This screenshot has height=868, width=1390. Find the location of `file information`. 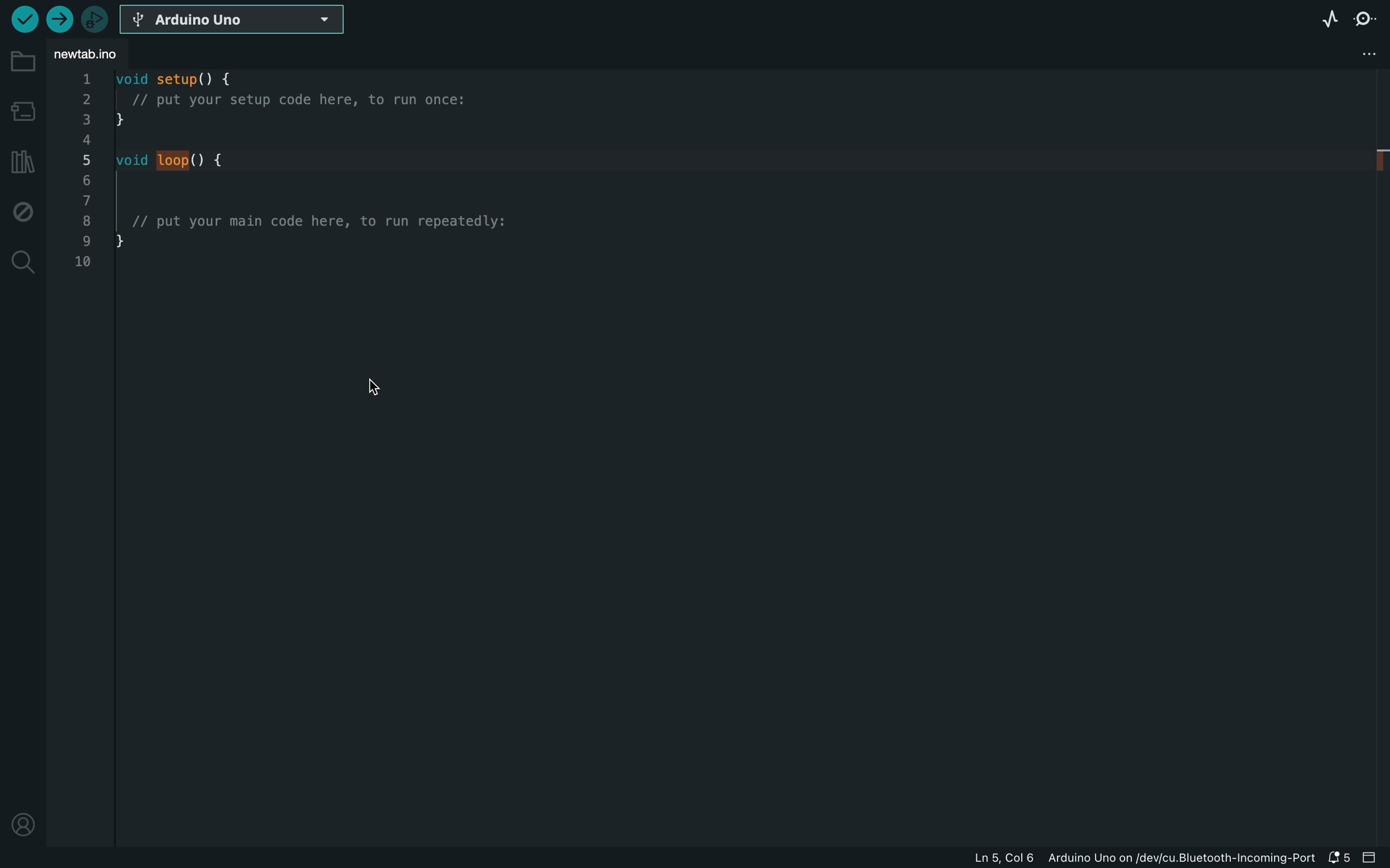

file information is located at coordinates (1142, 859).